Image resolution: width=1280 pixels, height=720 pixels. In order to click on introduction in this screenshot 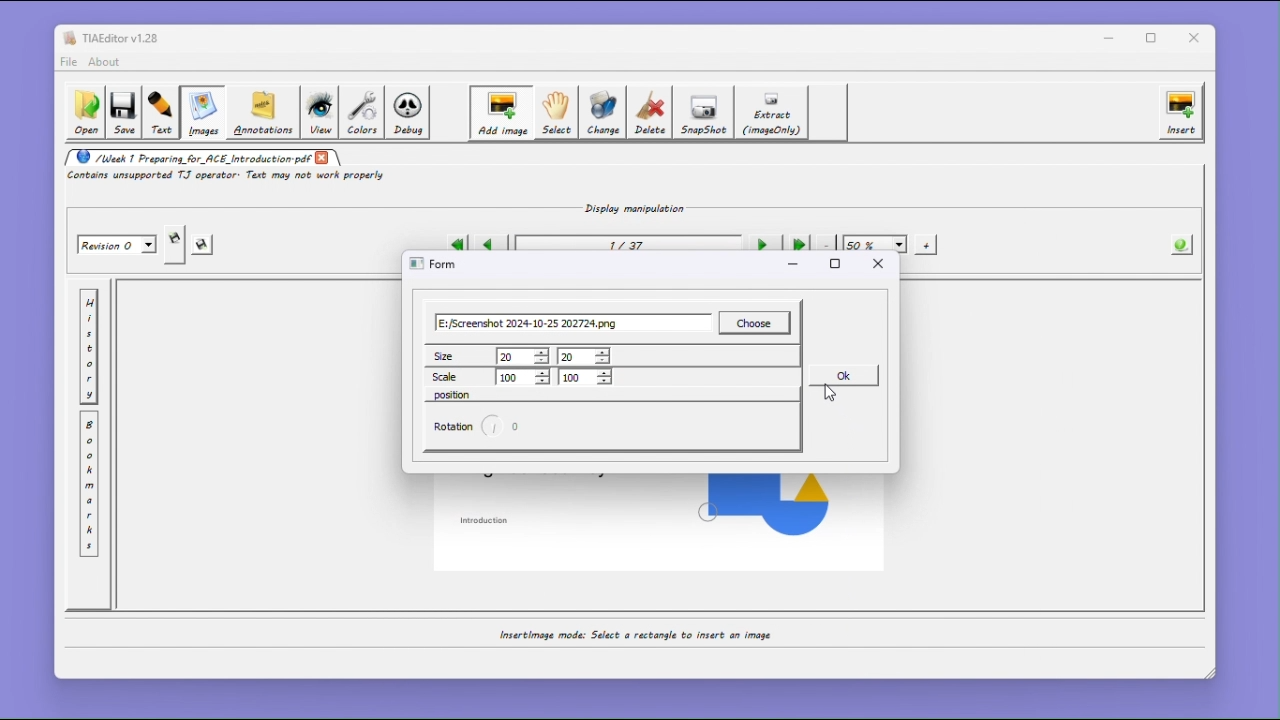, I will do `click(486, 520)`.